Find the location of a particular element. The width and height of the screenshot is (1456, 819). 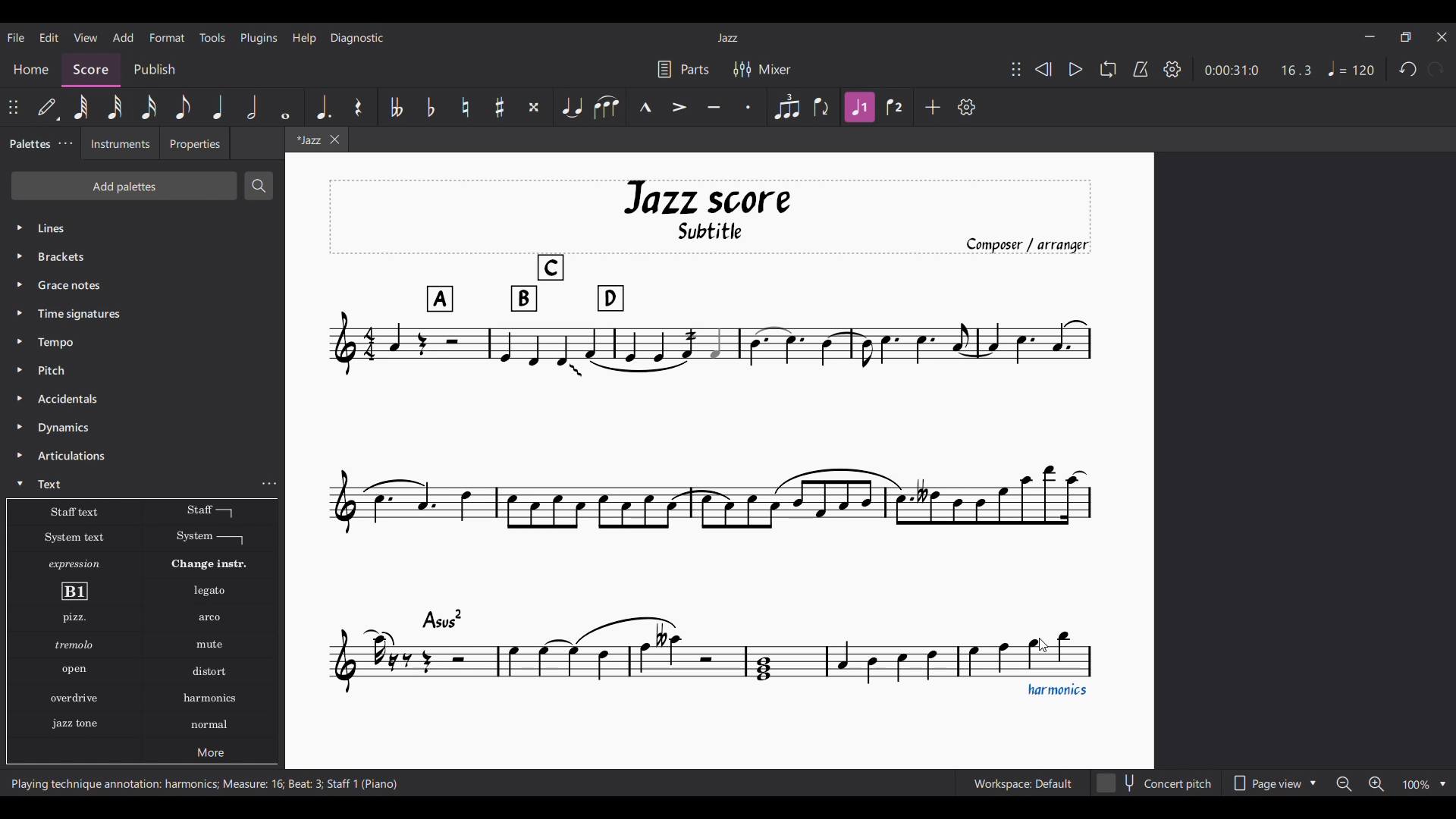

Test is located at coordinates (54, 484).